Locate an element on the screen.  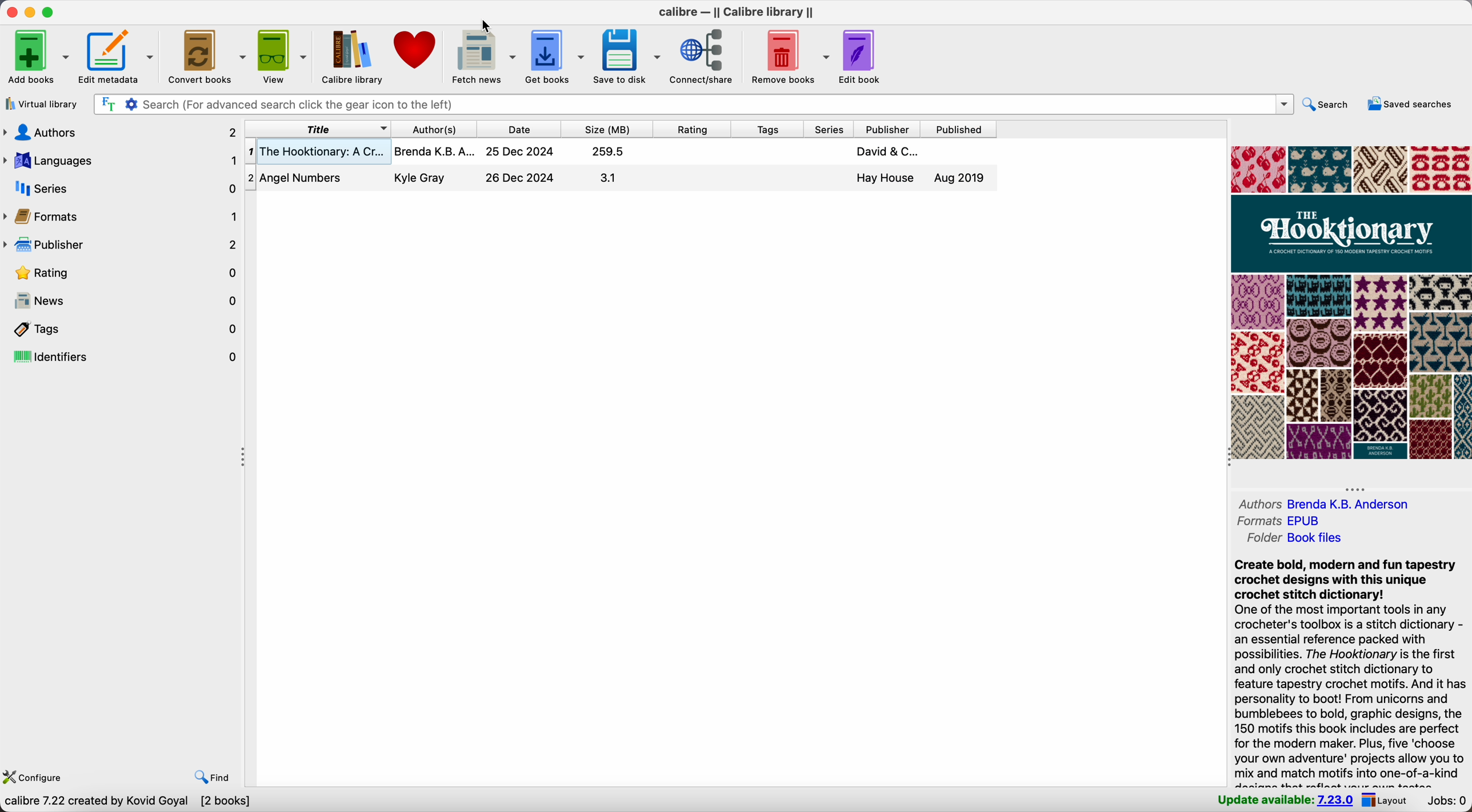
publisher is located at coordinates (888, 129).